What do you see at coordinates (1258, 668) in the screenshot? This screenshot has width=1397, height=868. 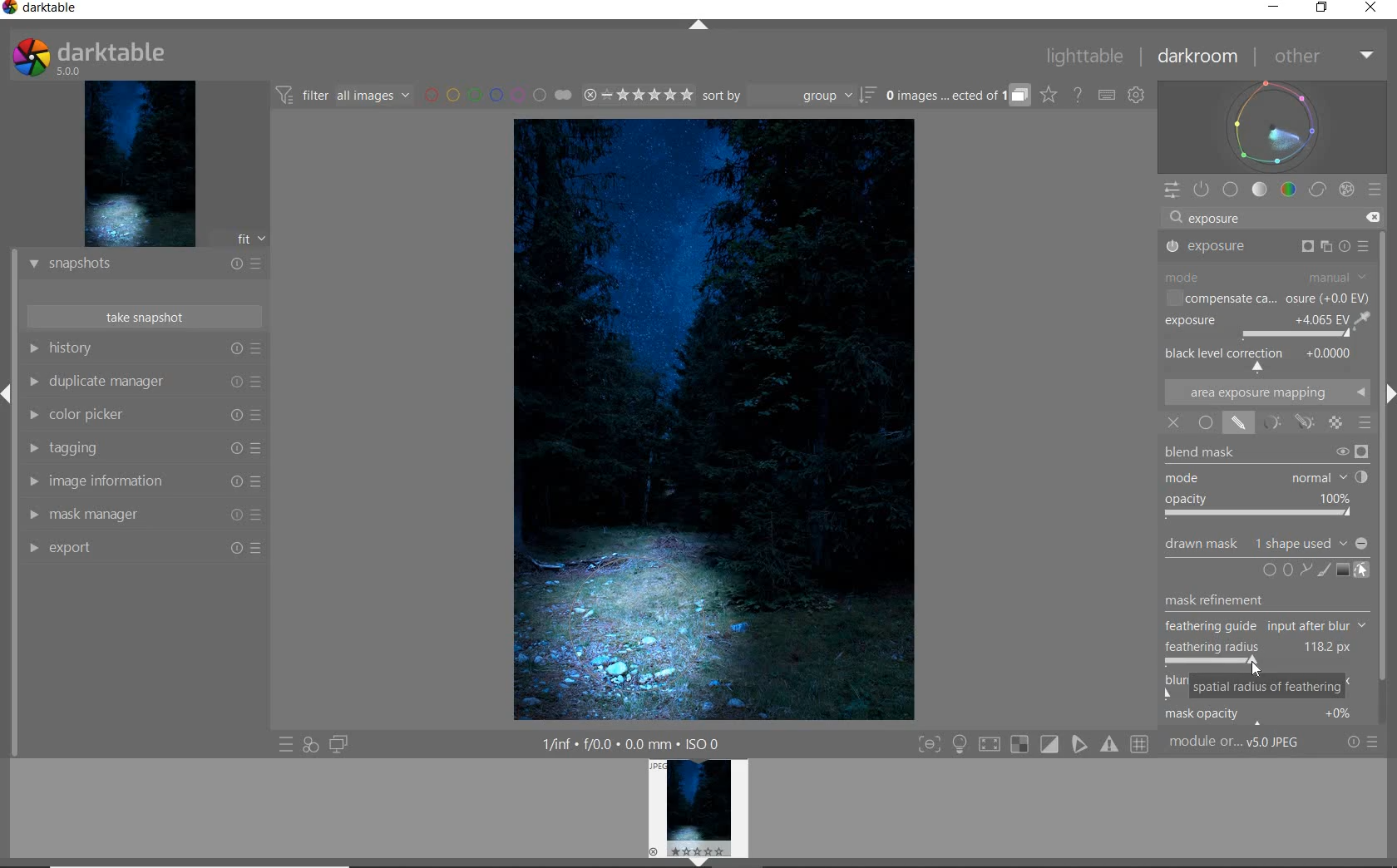 I see `CURSOR` at bounding box center [1258, 668].